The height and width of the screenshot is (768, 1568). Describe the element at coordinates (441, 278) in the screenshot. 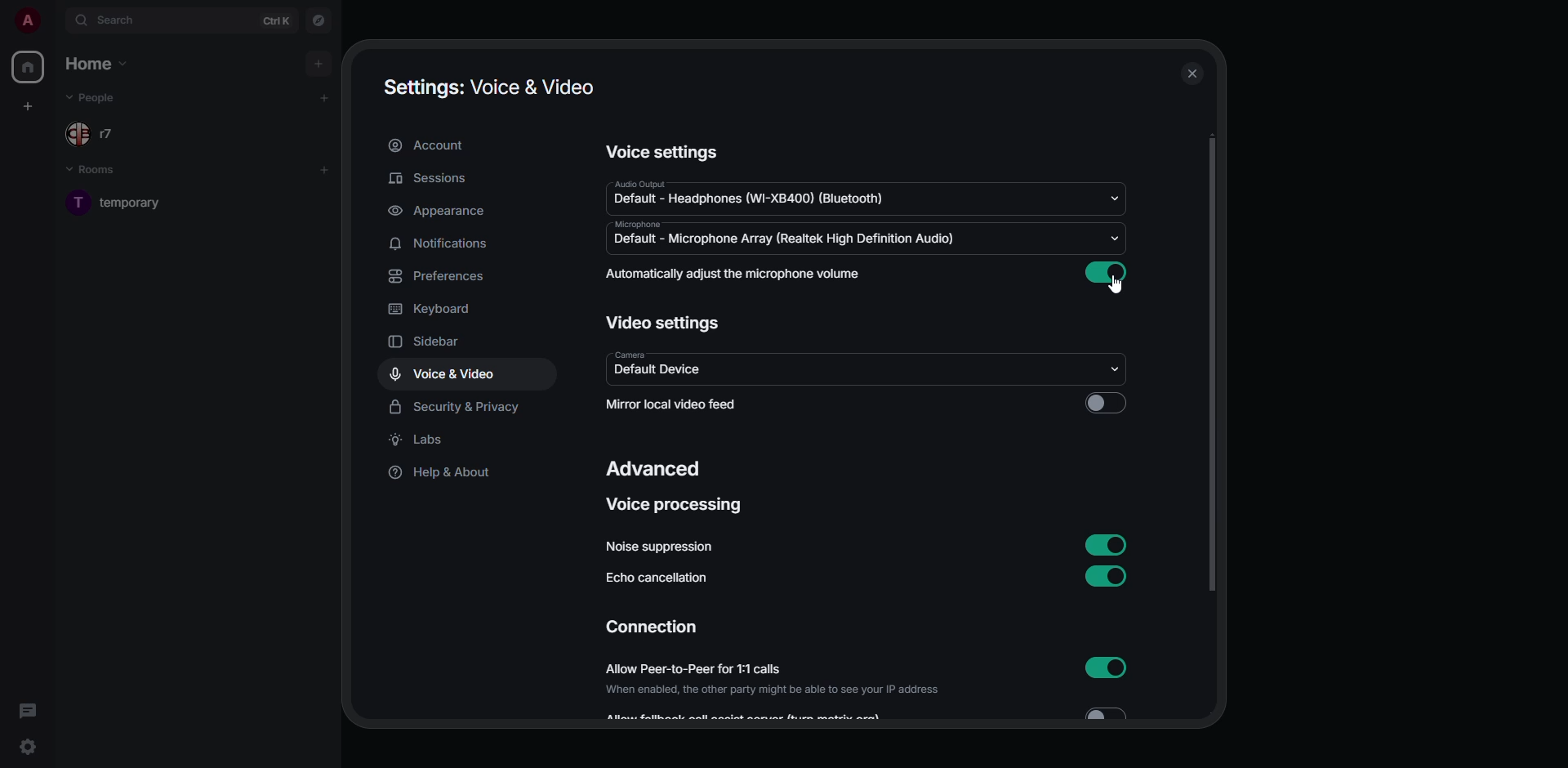

I see `preferences` at that location.